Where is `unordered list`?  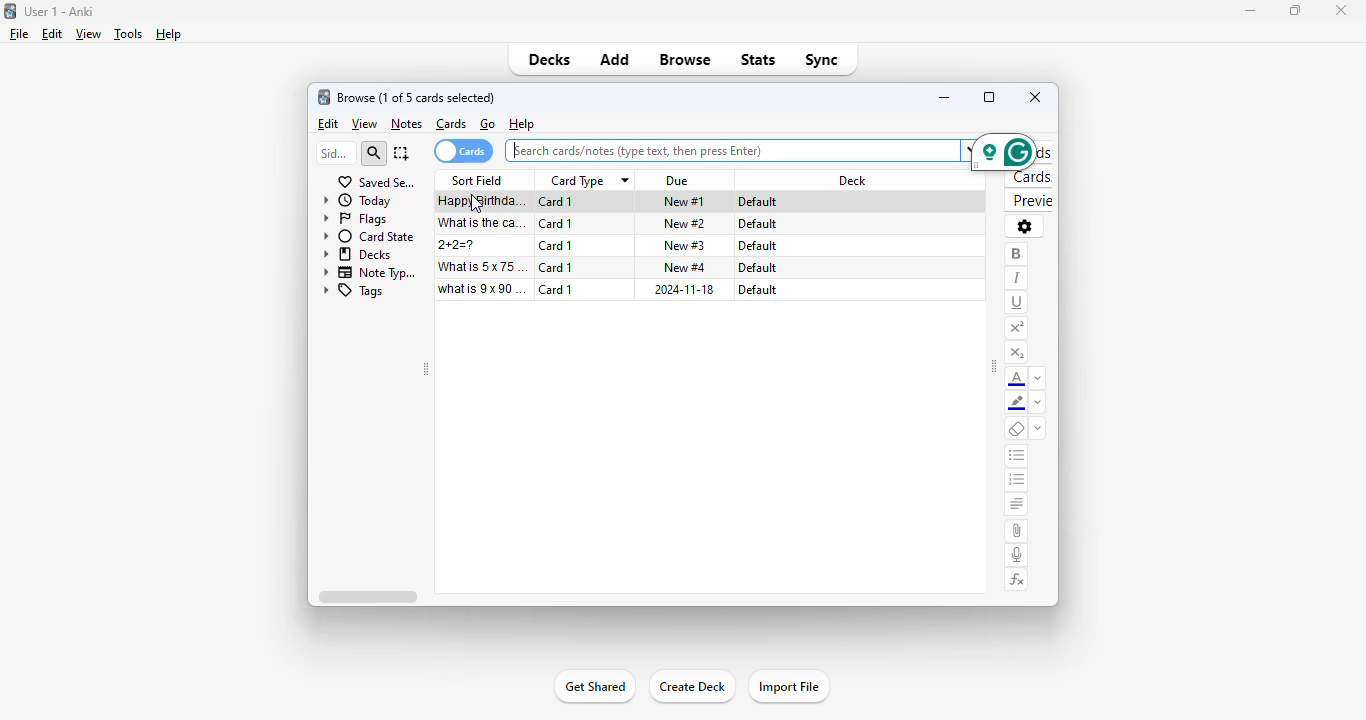 unordered list is located at coordinates (1017, 456).